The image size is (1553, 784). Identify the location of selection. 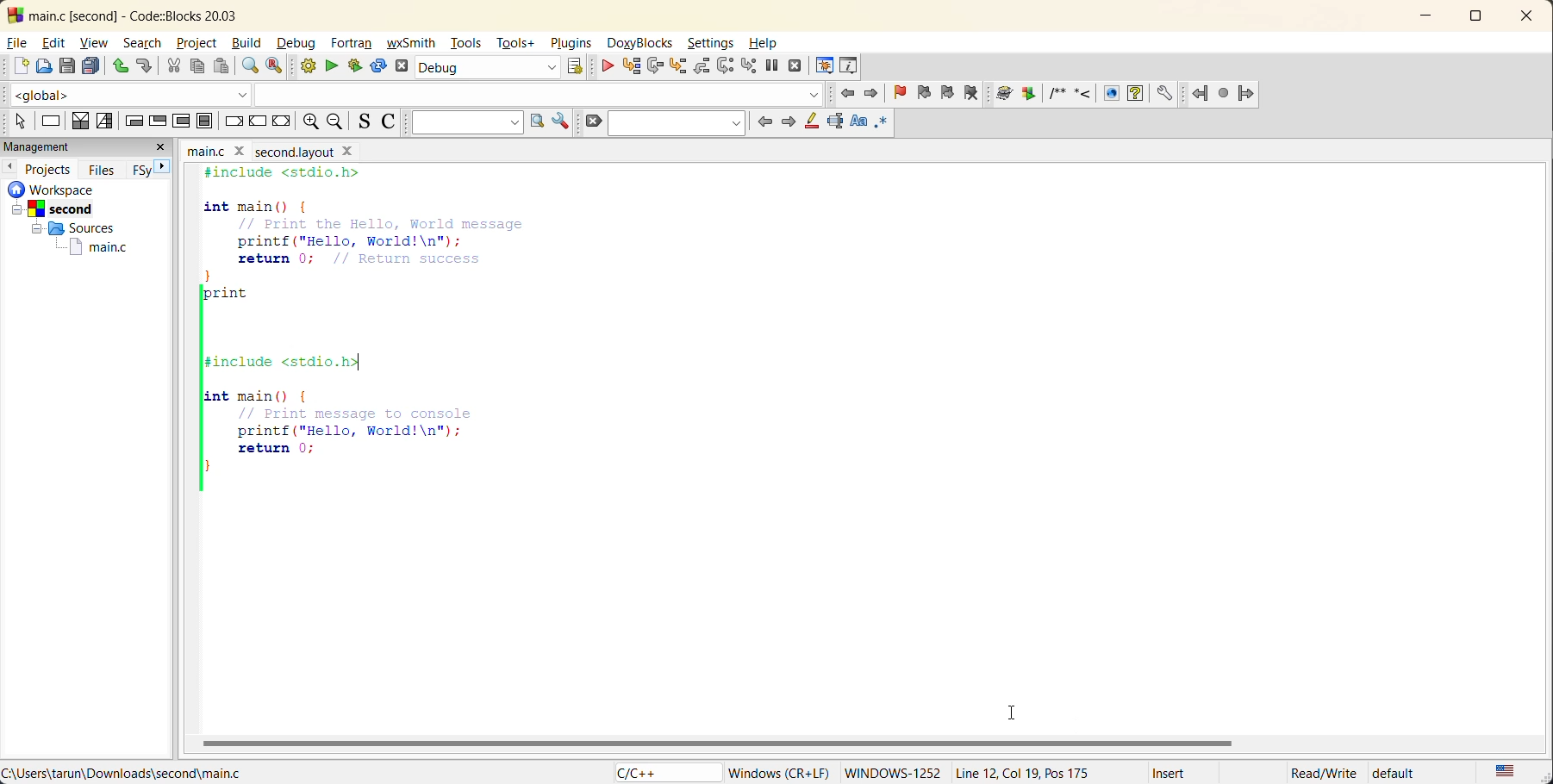
(103, 121).